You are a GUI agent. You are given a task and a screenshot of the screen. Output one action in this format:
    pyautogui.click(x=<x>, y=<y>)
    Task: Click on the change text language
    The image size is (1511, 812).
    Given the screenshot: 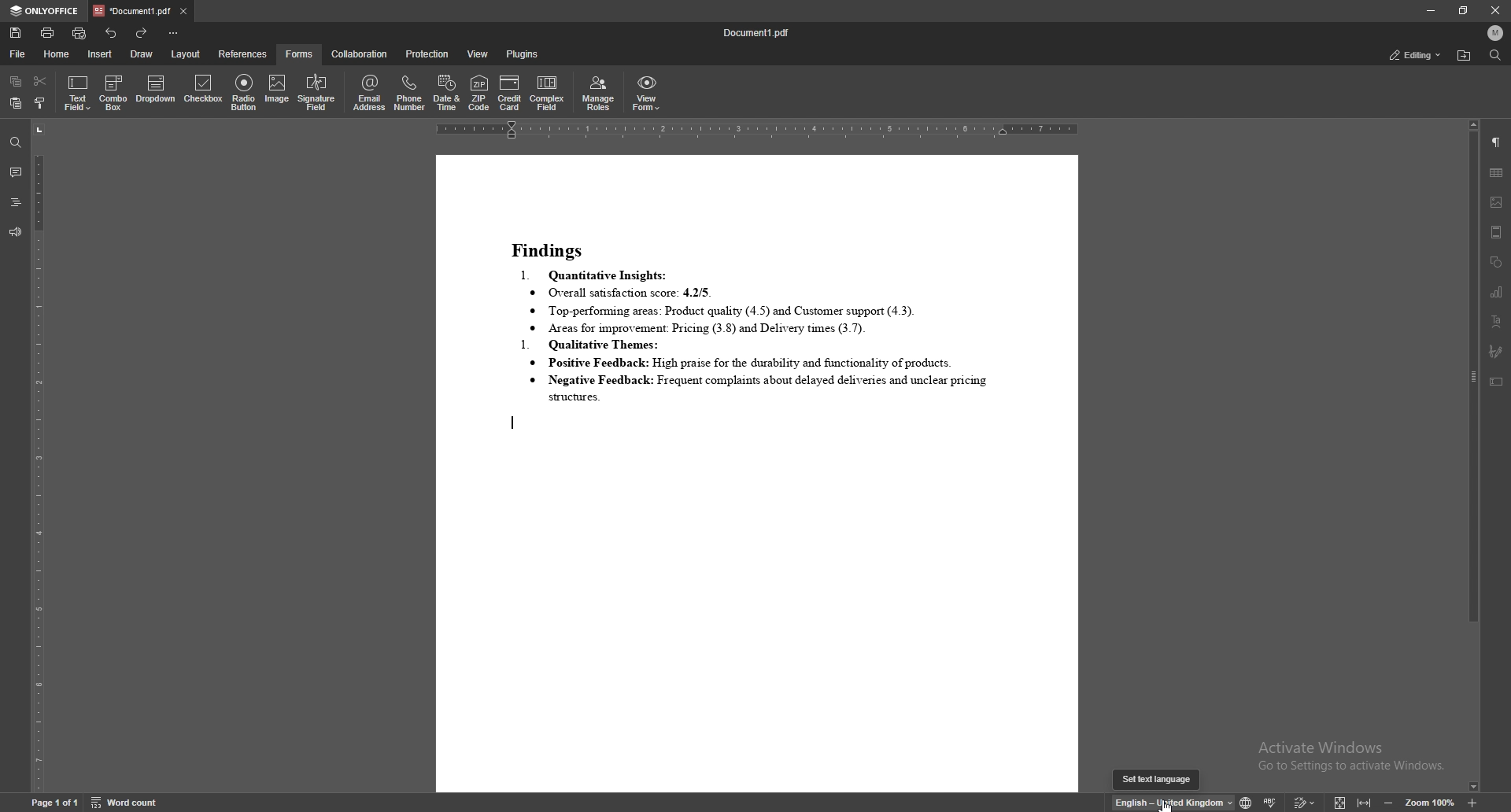 What is the action you would take?
    pyautogui.click(x=1243, y=800)
    